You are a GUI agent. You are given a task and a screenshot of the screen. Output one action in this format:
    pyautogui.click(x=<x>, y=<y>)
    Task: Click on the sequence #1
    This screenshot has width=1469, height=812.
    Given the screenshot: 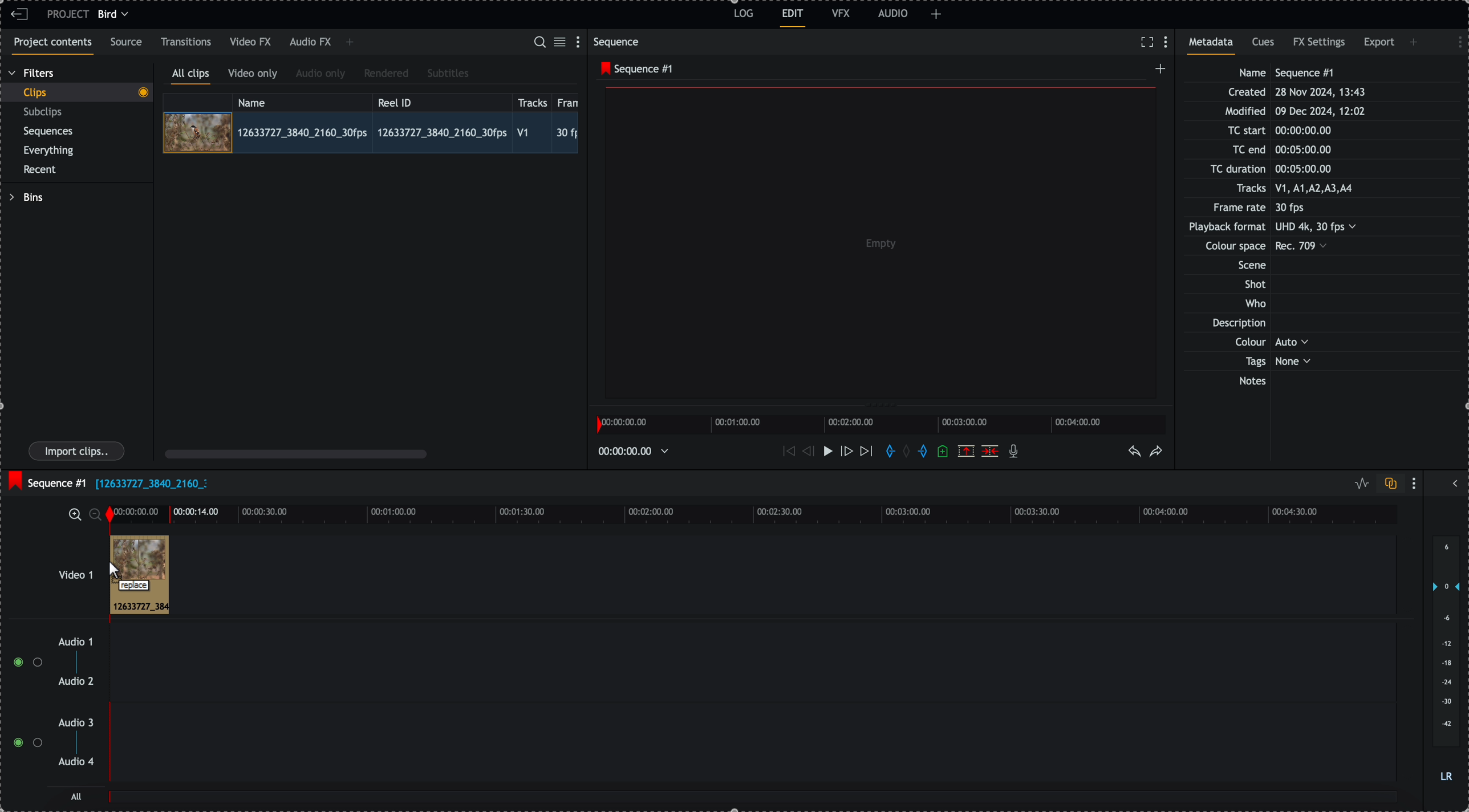 What is the action you would take?
    pyautogui.click(x=634, y=69)
    